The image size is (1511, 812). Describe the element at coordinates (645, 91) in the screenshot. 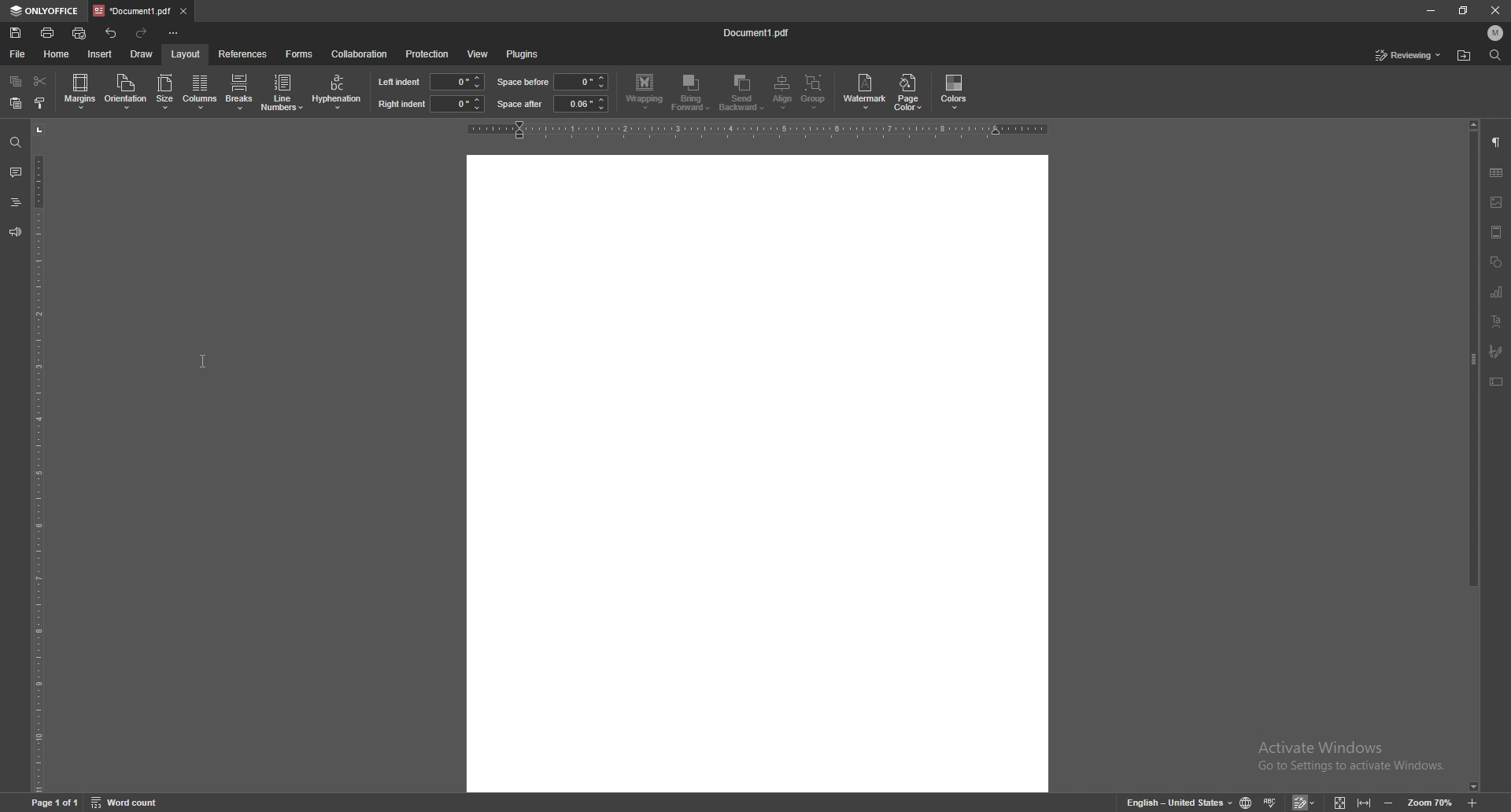

I see `wrapping` at that location.